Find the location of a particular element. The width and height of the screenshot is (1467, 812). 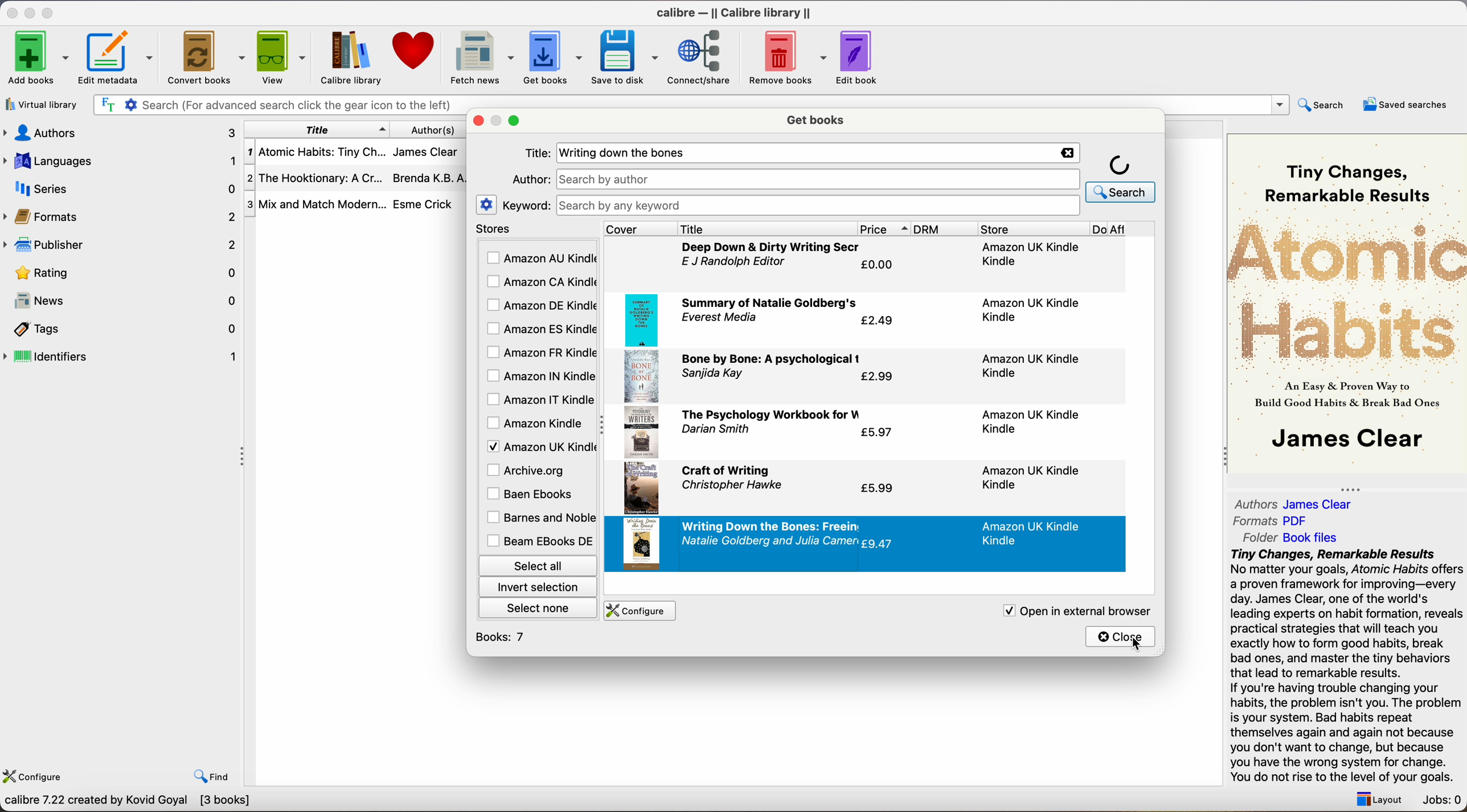

cover is located at coordinates (640, 228).